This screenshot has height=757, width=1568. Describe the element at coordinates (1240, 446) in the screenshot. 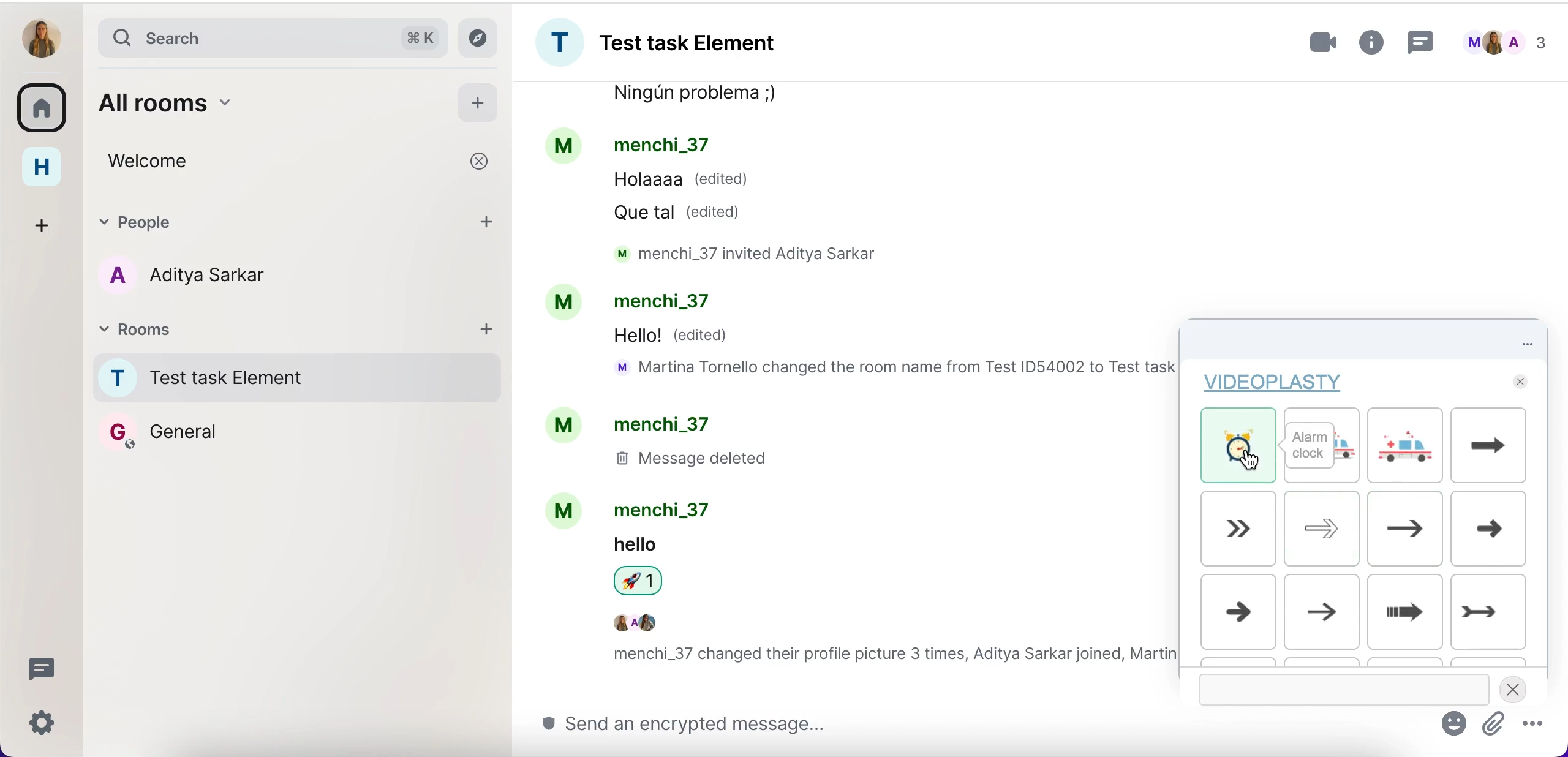

I see `alarm clock gif 1` at that location.